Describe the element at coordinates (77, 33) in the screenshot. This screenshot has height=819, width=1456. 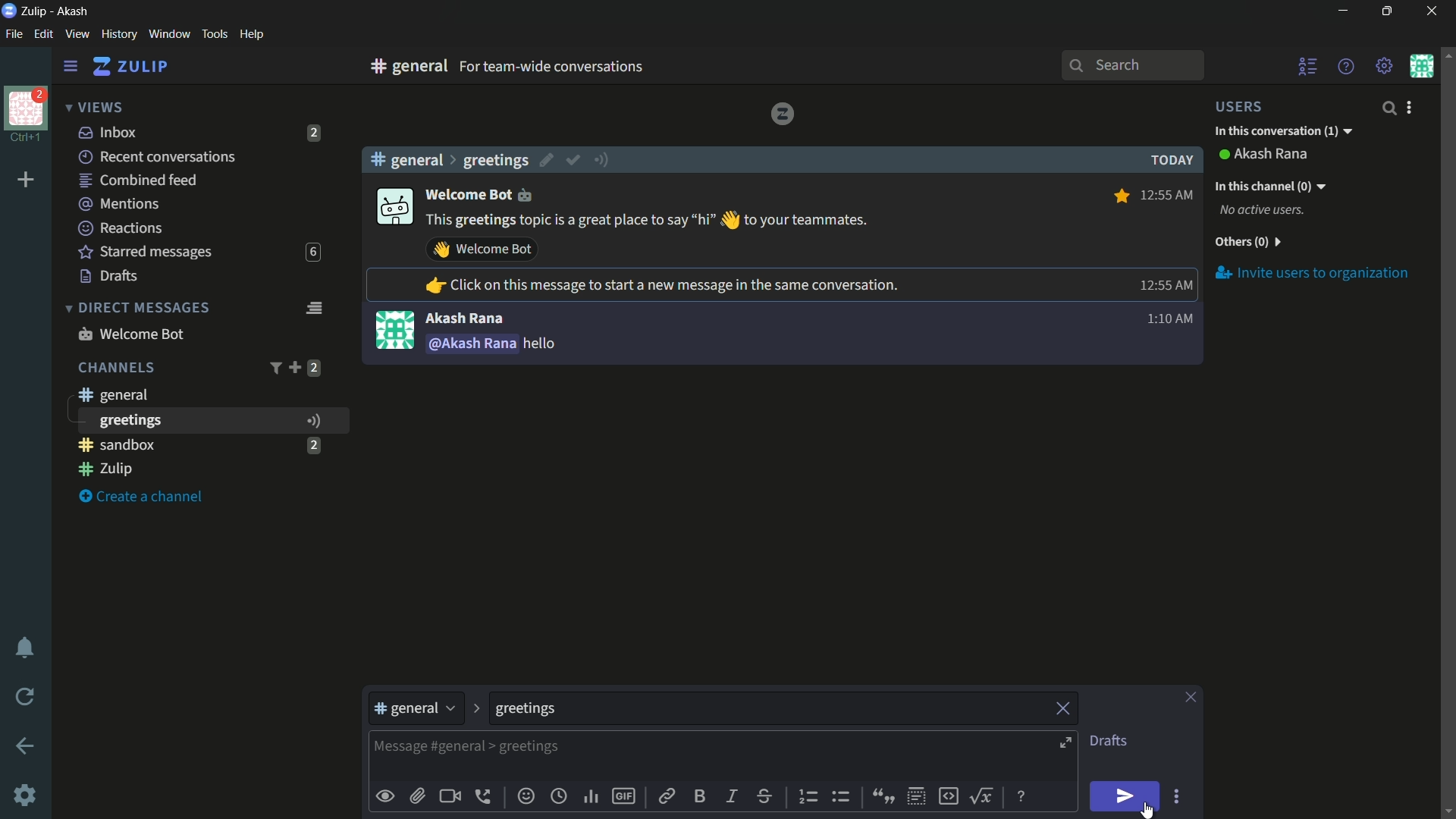
I see `view menu` at that location.